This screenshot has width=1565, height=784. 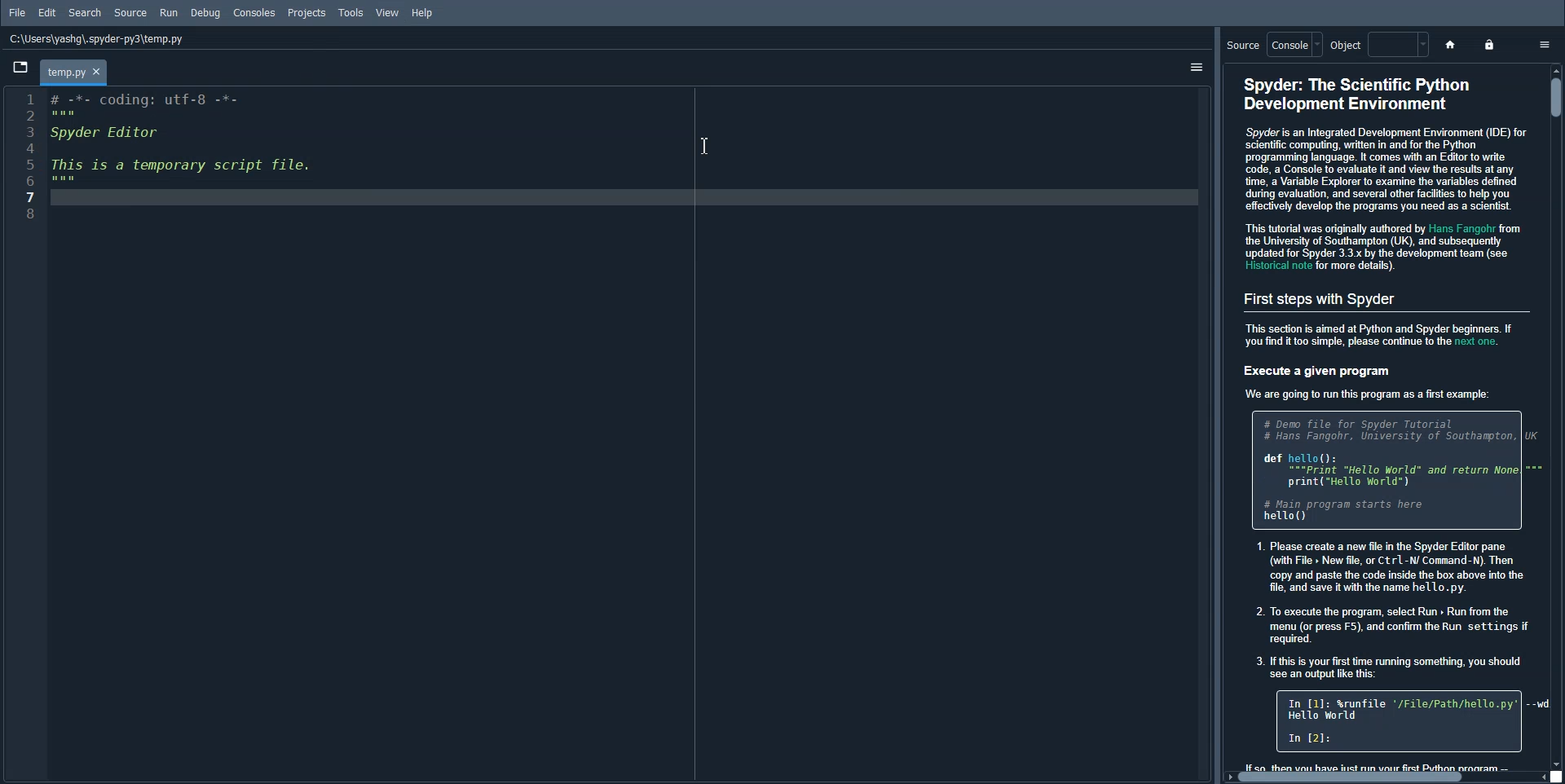 I want to click on Source: Console, so click(x=1270, y=45).